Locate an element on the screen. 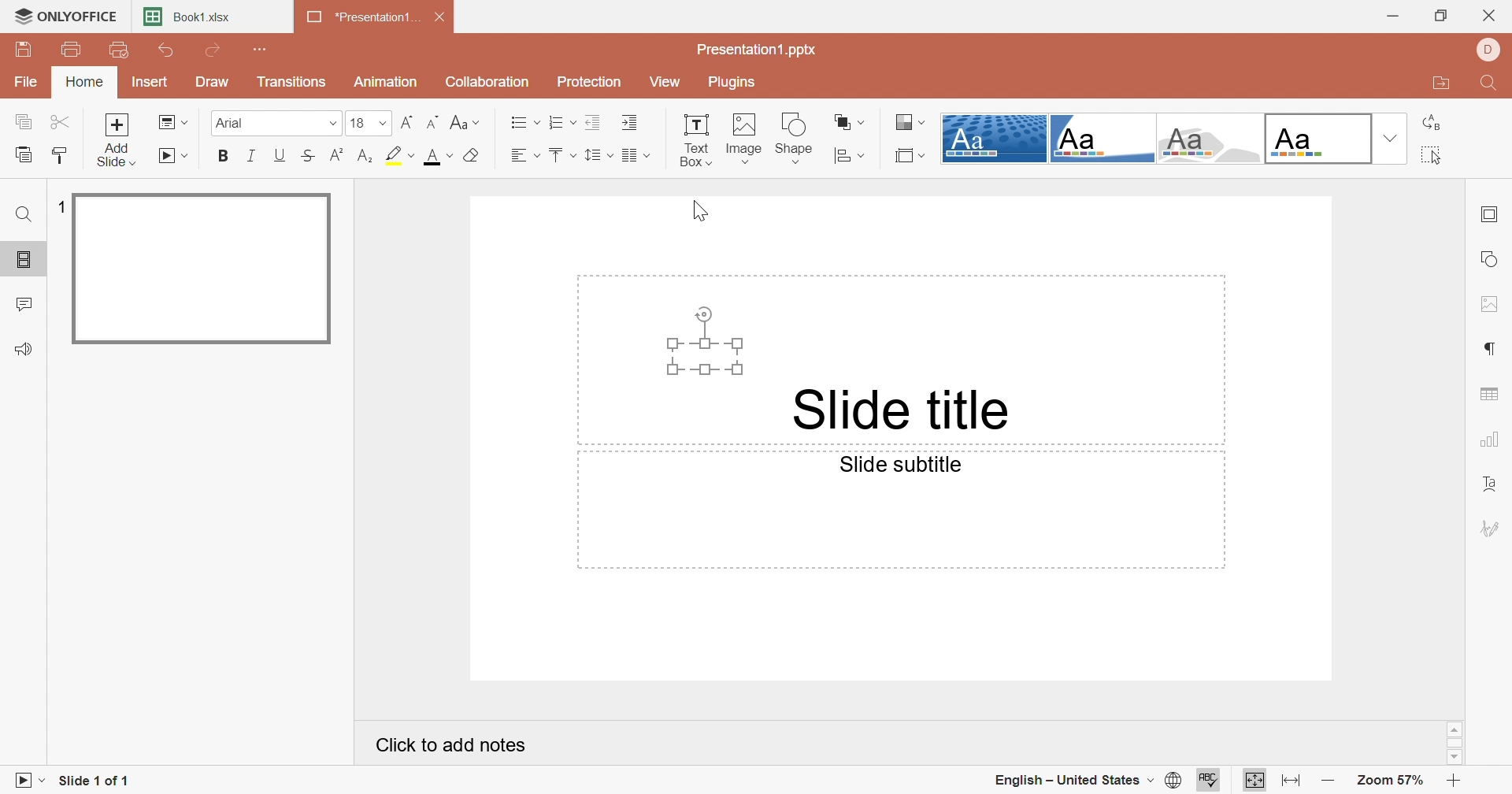 Image resolution: width=1512 pixels, height=794 pixels. Slide 1 of 1 is located at coordinates (95, 781).